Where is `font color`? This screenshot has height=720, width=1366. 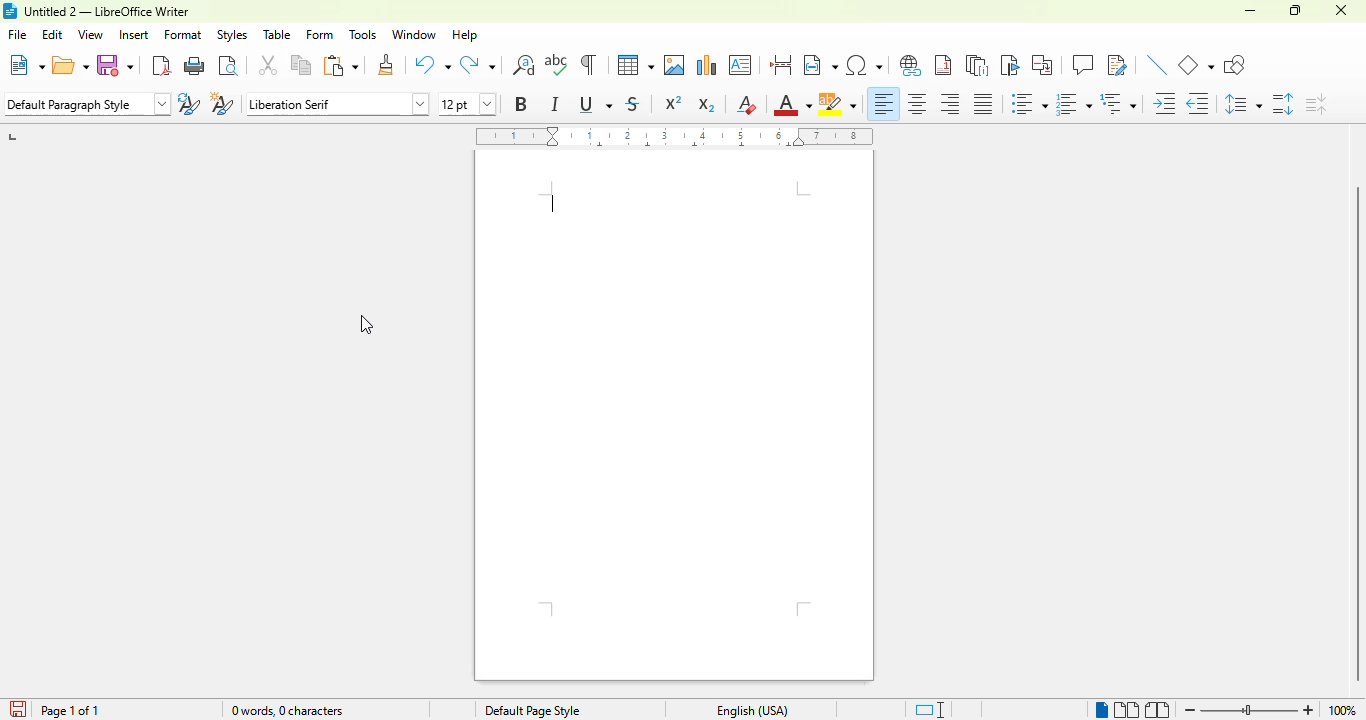
font color is located at coordinates (792, 105).